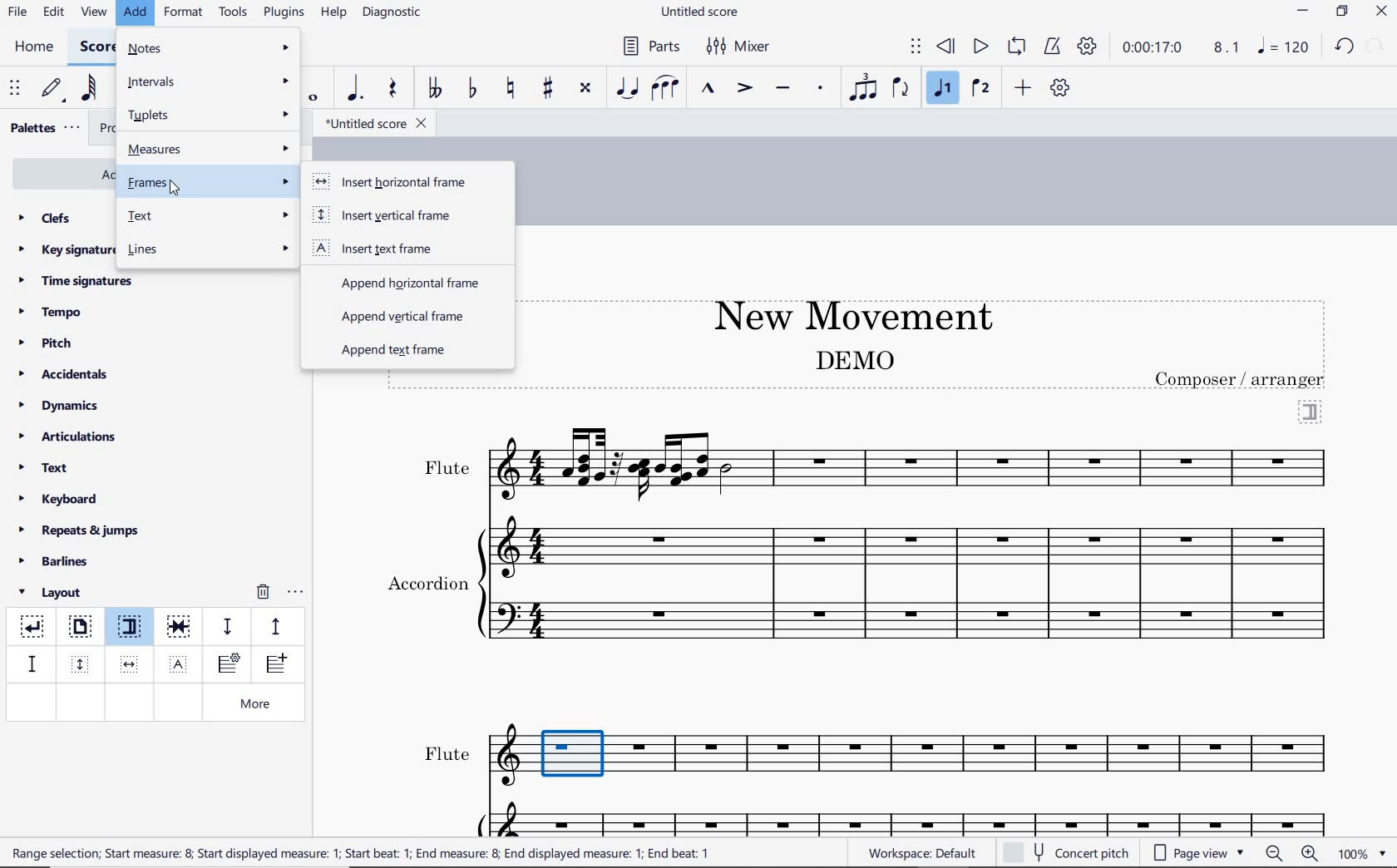 This screenshot has height=868, width=1397. What do you see at coordinates (782, 89) in the screenshot?
I see `tenuto` at bounding box center [782, 89].